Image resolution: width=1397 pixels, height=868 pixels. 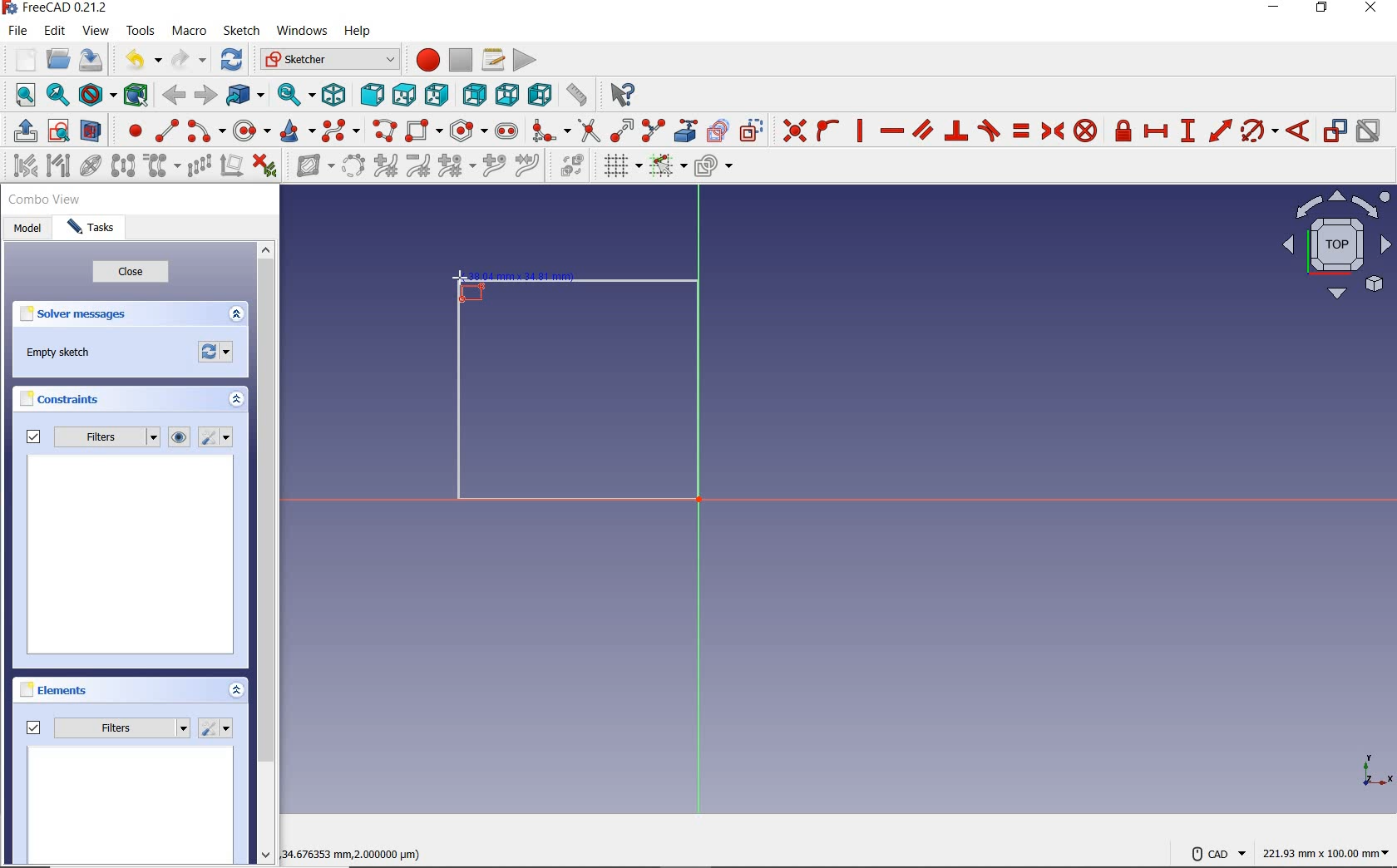 I want to click on bounding box, so click(x=135, y=94).